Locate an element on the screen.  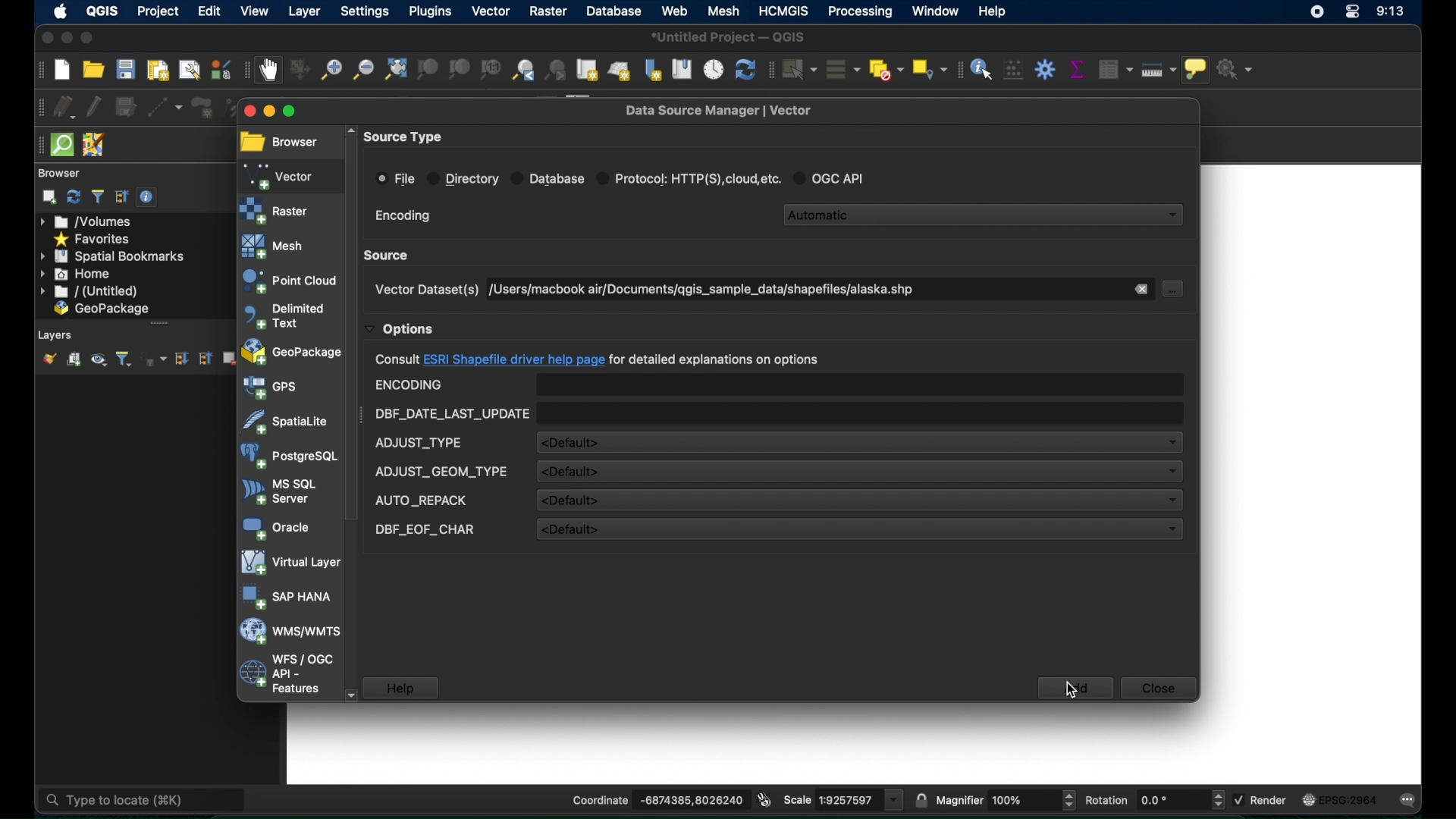
ogc api is located at coordinates (834, 177).